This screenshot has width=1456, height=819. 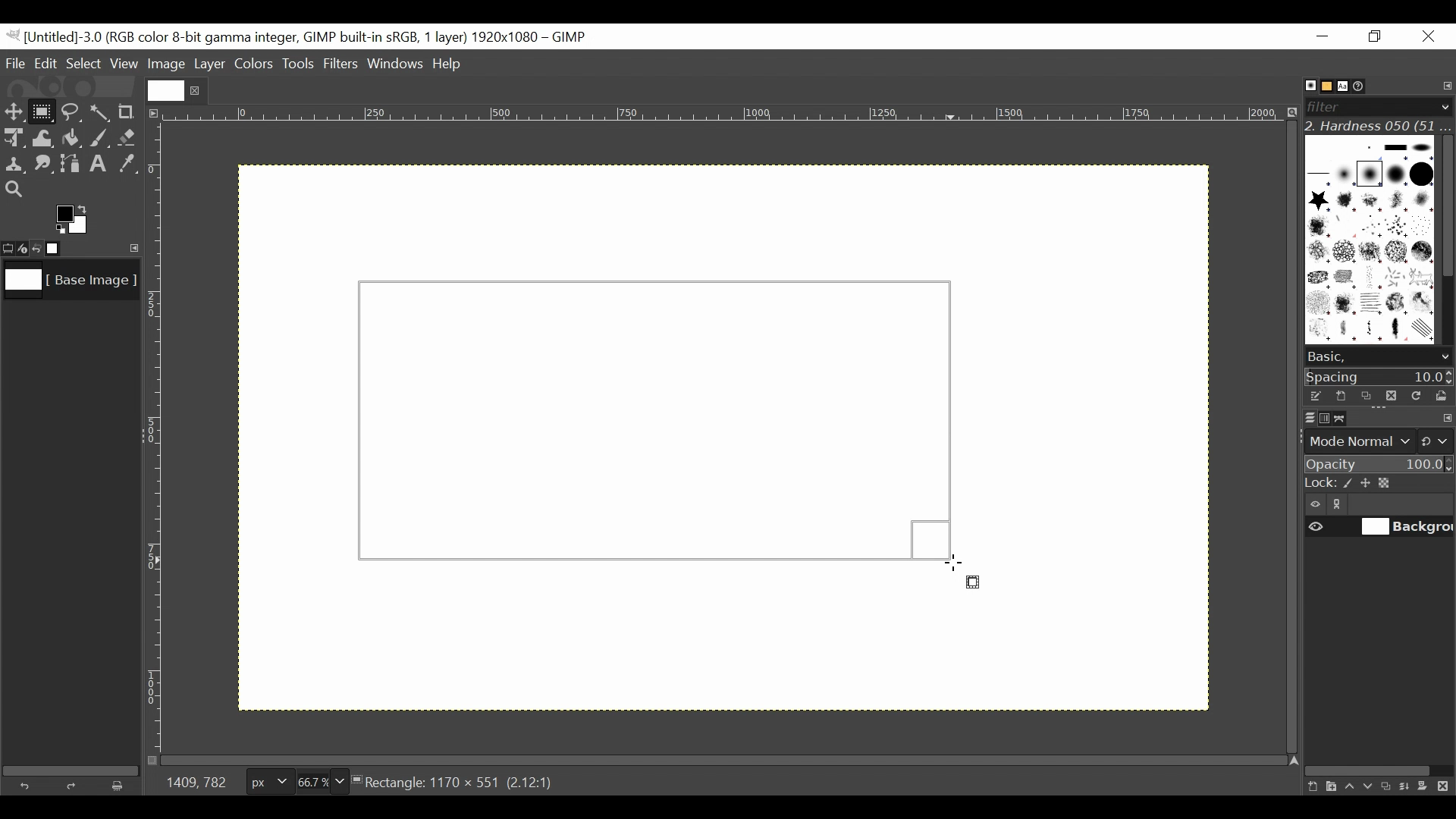 I want to click on Windows, so click(x=397, y=65).